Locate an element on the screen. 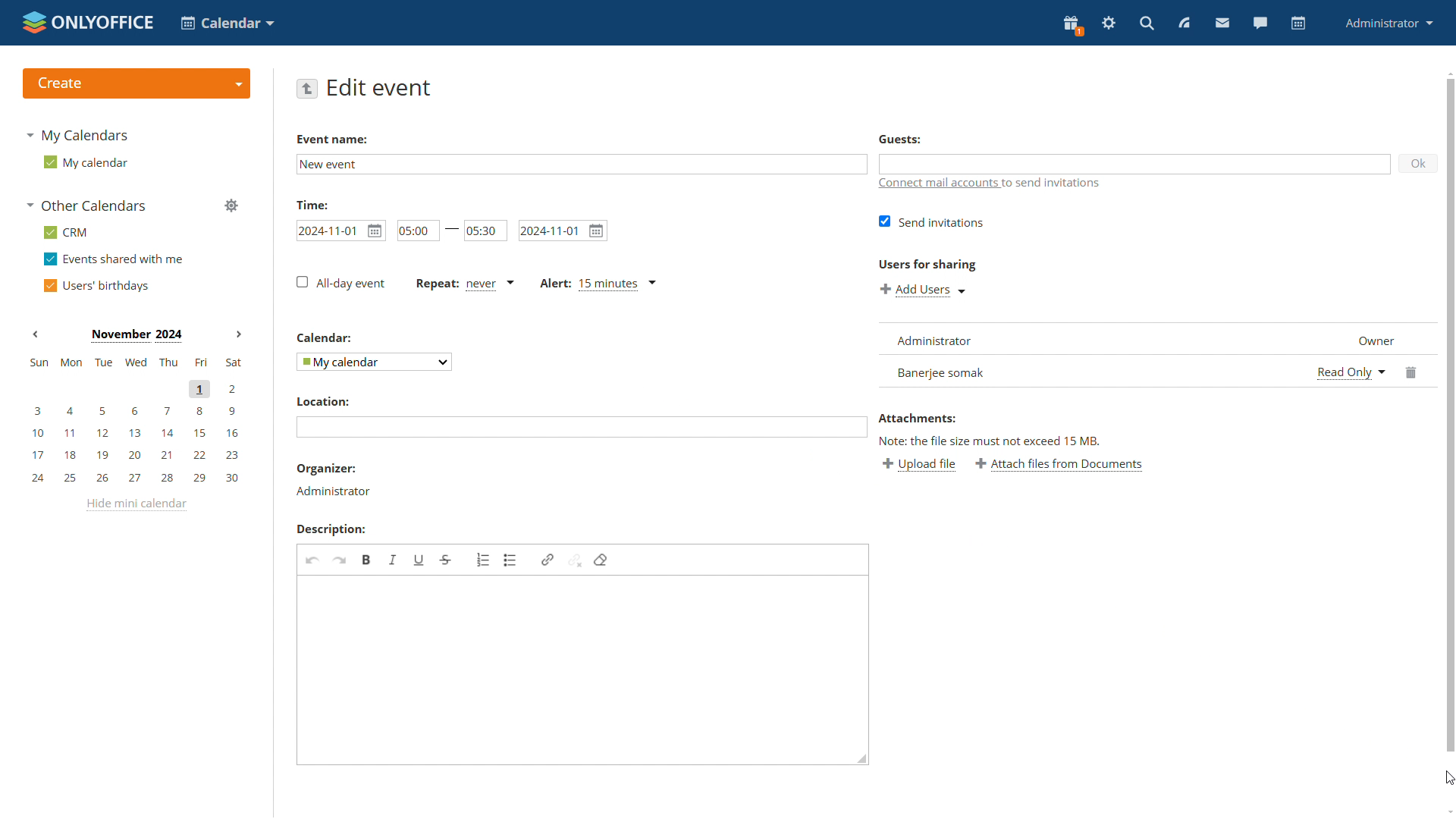 The height and width of the screenshot is (819, 1456). undo is located at coordinates (313, 561).